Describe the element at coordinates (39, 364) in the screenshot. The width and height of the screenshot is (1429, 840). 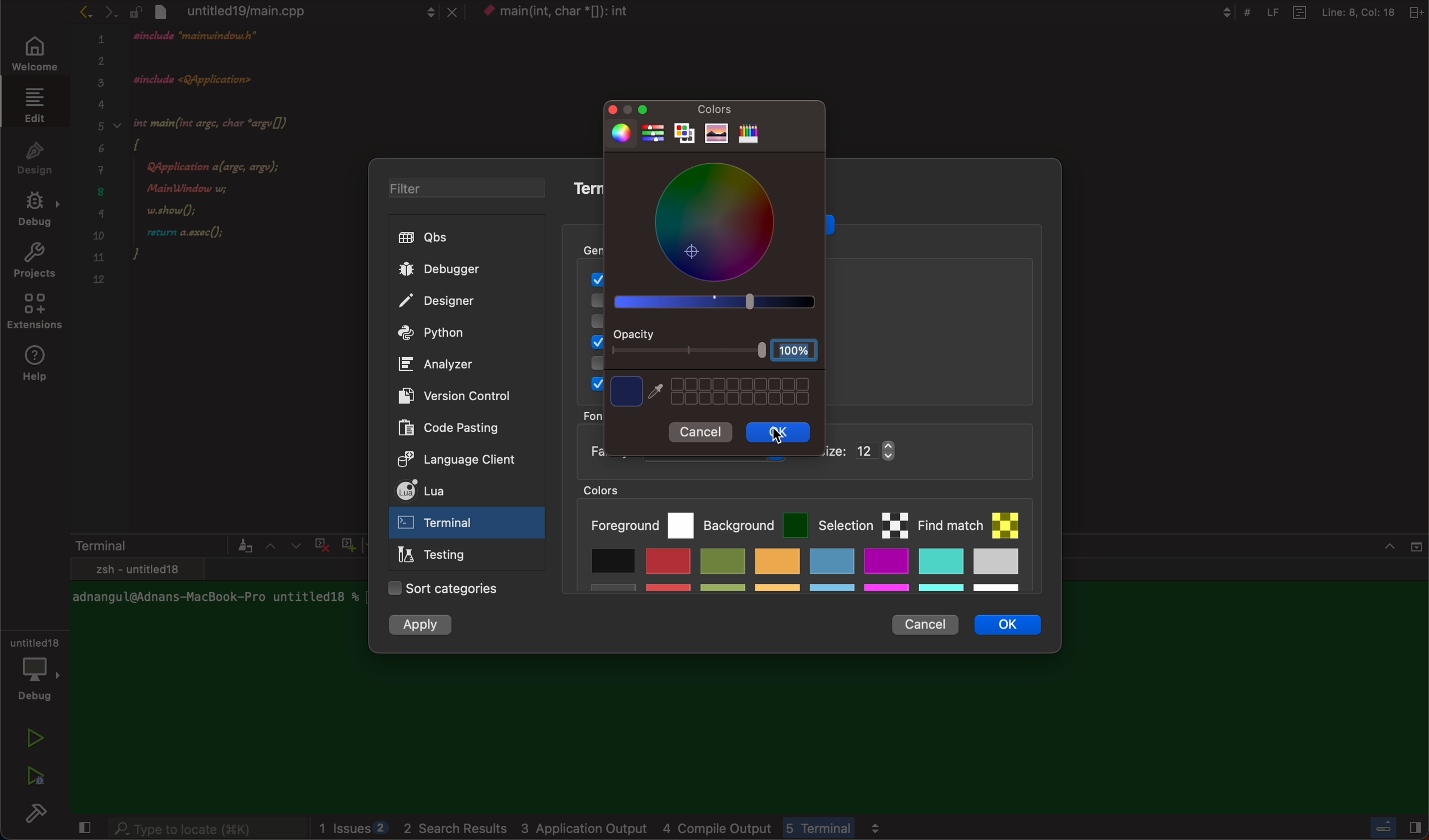
I see `help` at that location.